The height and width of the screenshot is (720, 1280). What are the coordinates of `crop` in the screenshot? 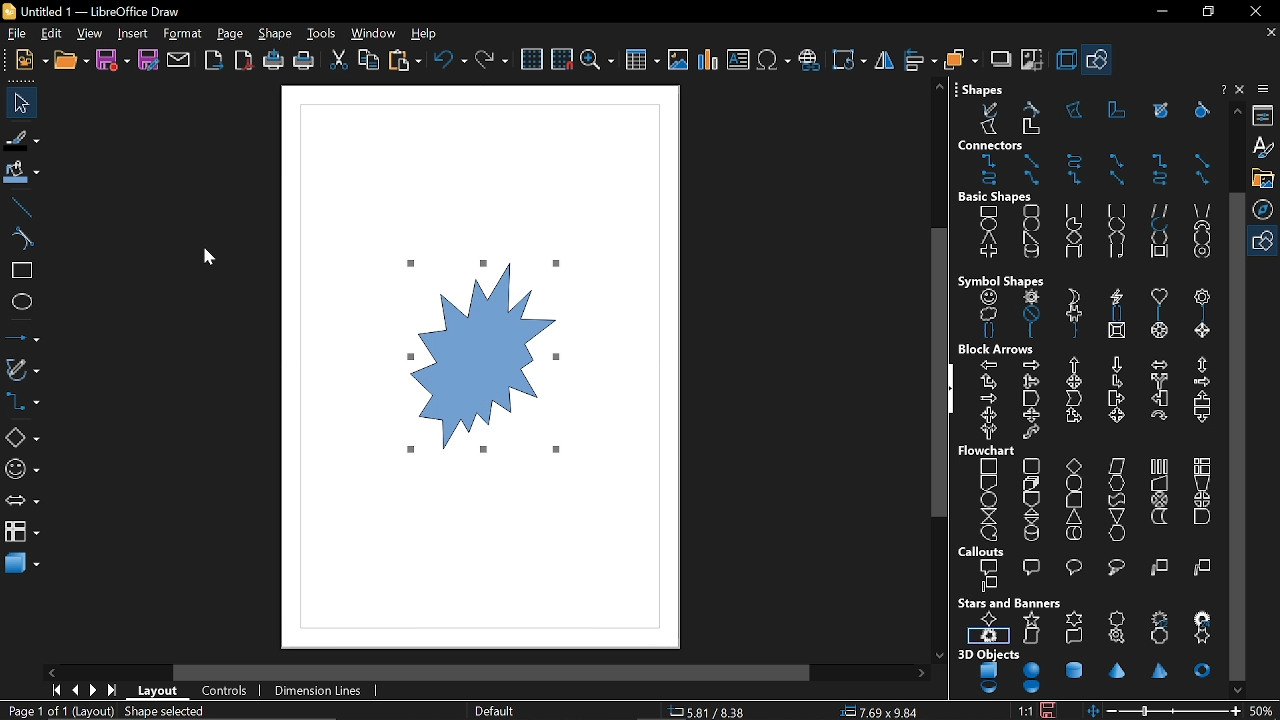 It's located at (1034, 63).